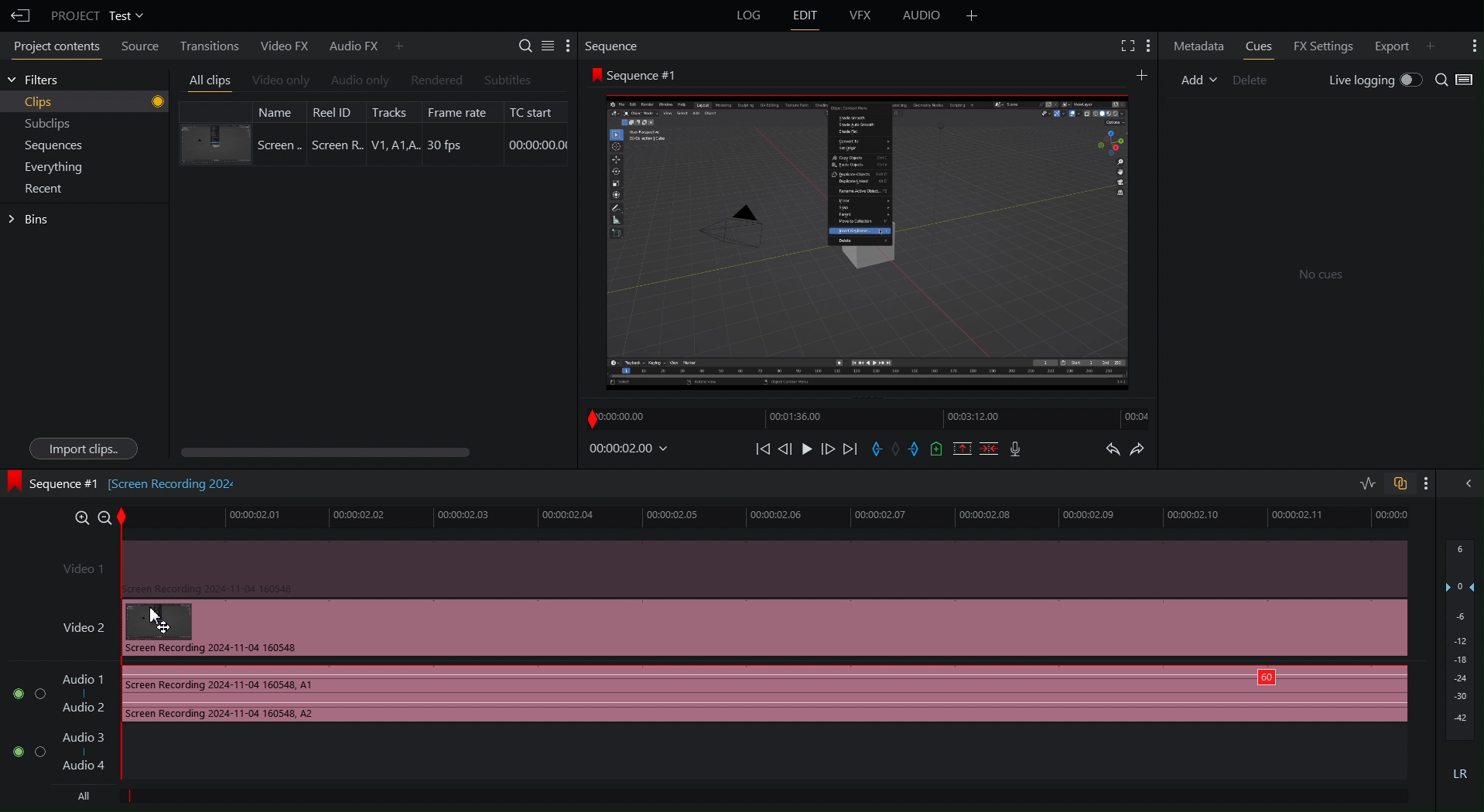 This screenshot has height=812, width=1484. Describe the element at coordinates (1197, 46) in the screenshot. I see `Metadata` at that location.